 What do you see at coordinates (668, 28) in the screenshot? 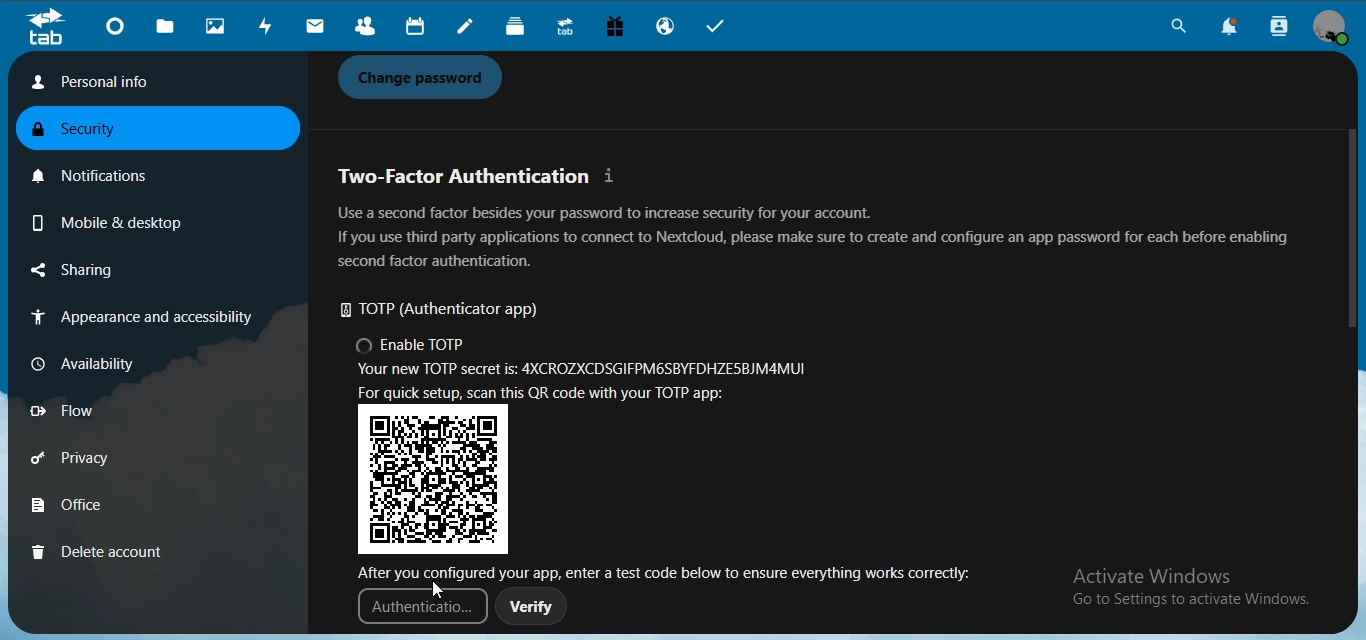
I see `email hosting` at bounding box center [668, 28].